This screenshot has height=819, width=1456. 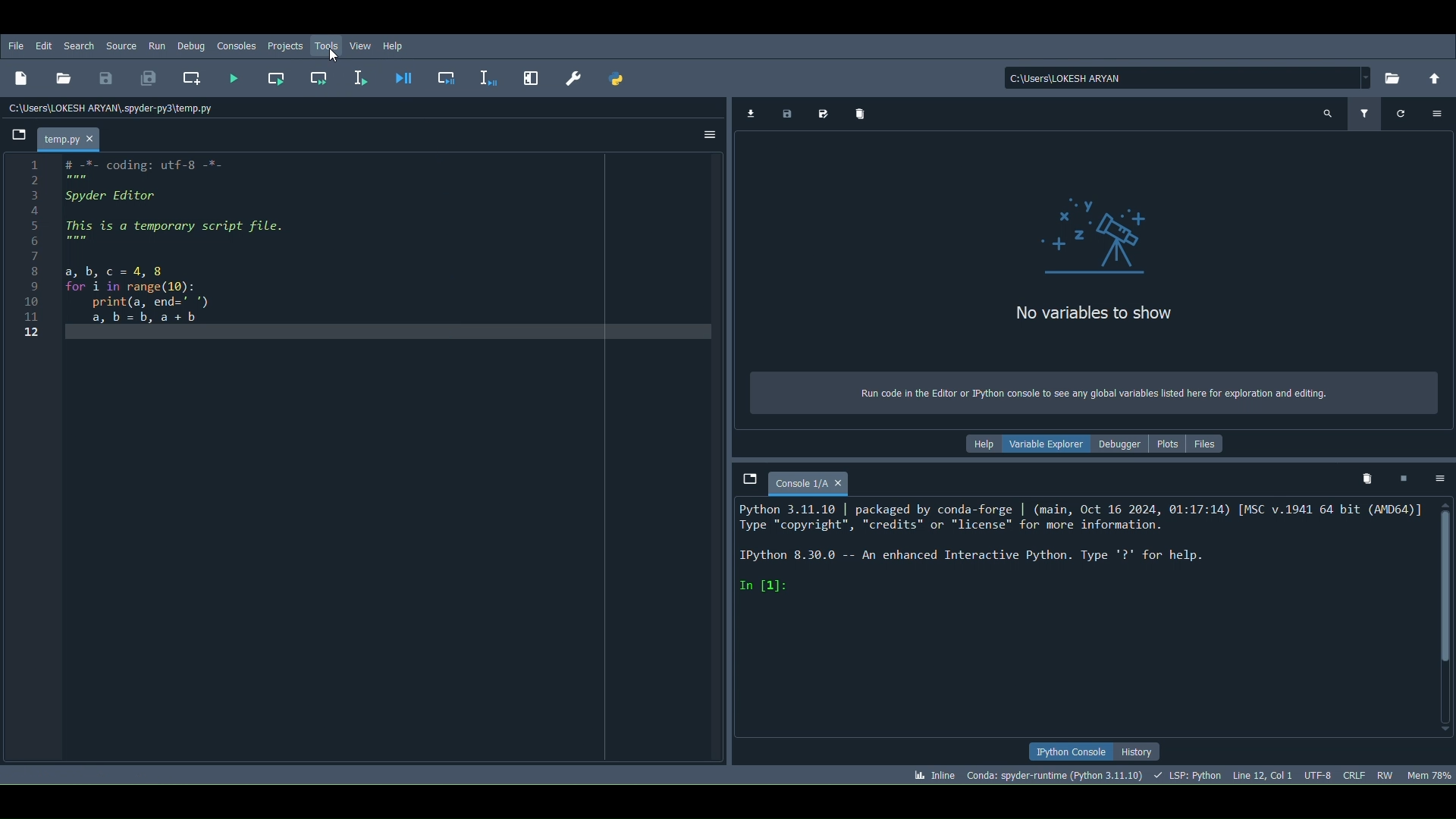 What do you see at coordinates (1355, 772) in the screenshot?
I see `File EOL Status` at bounding box center [1355, 772].